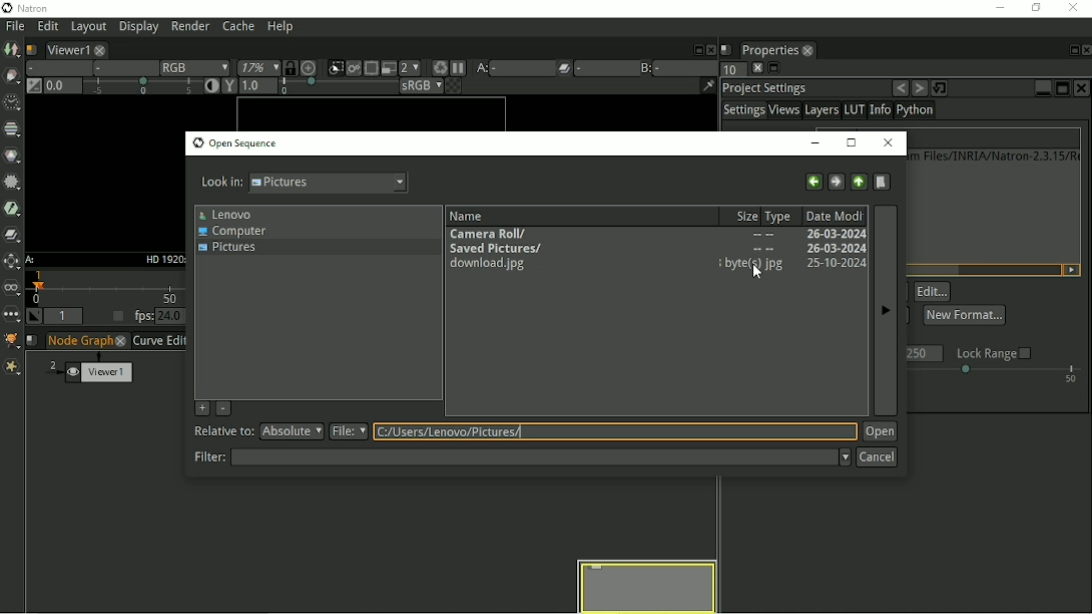 This screenshot has height=614, width=1092. Describe the element at coordinates (160, 316) in the screenshot. I see `fps` at that location.